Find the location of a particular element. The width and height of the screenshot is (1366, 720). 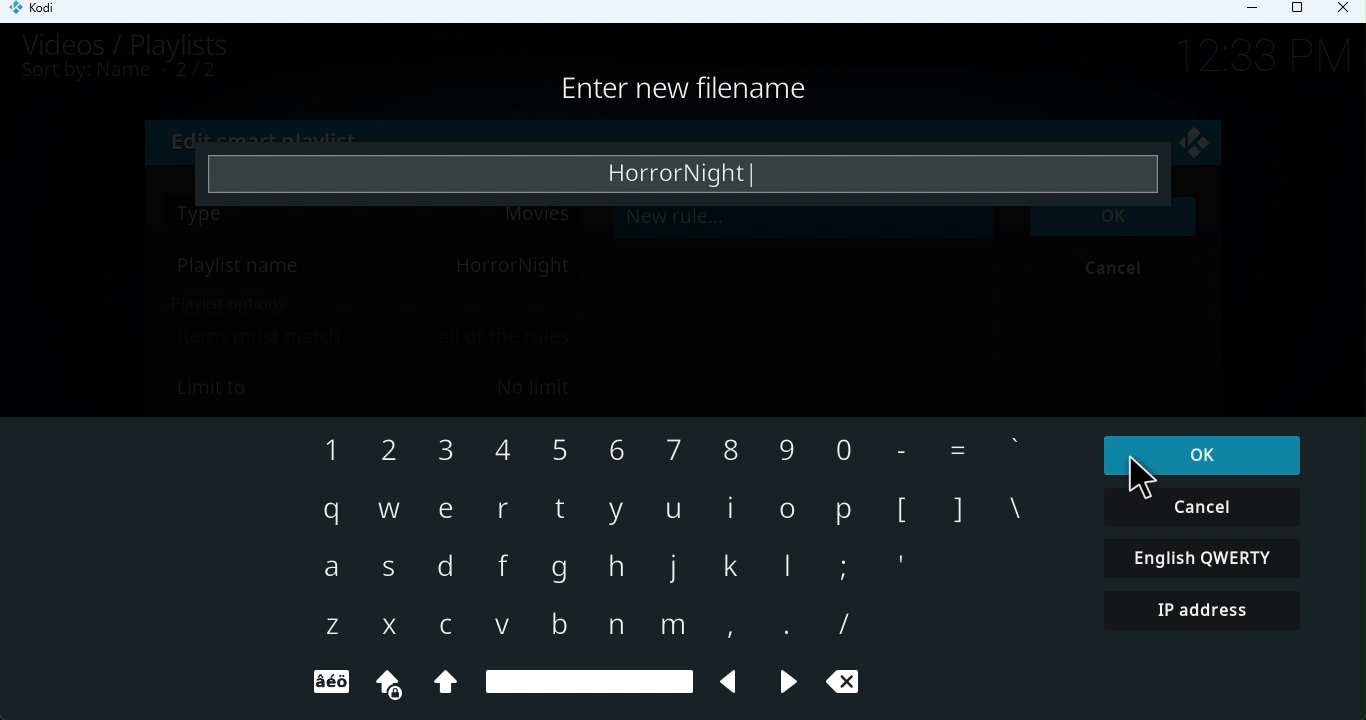

Close is located at coordinates (1346, 12).